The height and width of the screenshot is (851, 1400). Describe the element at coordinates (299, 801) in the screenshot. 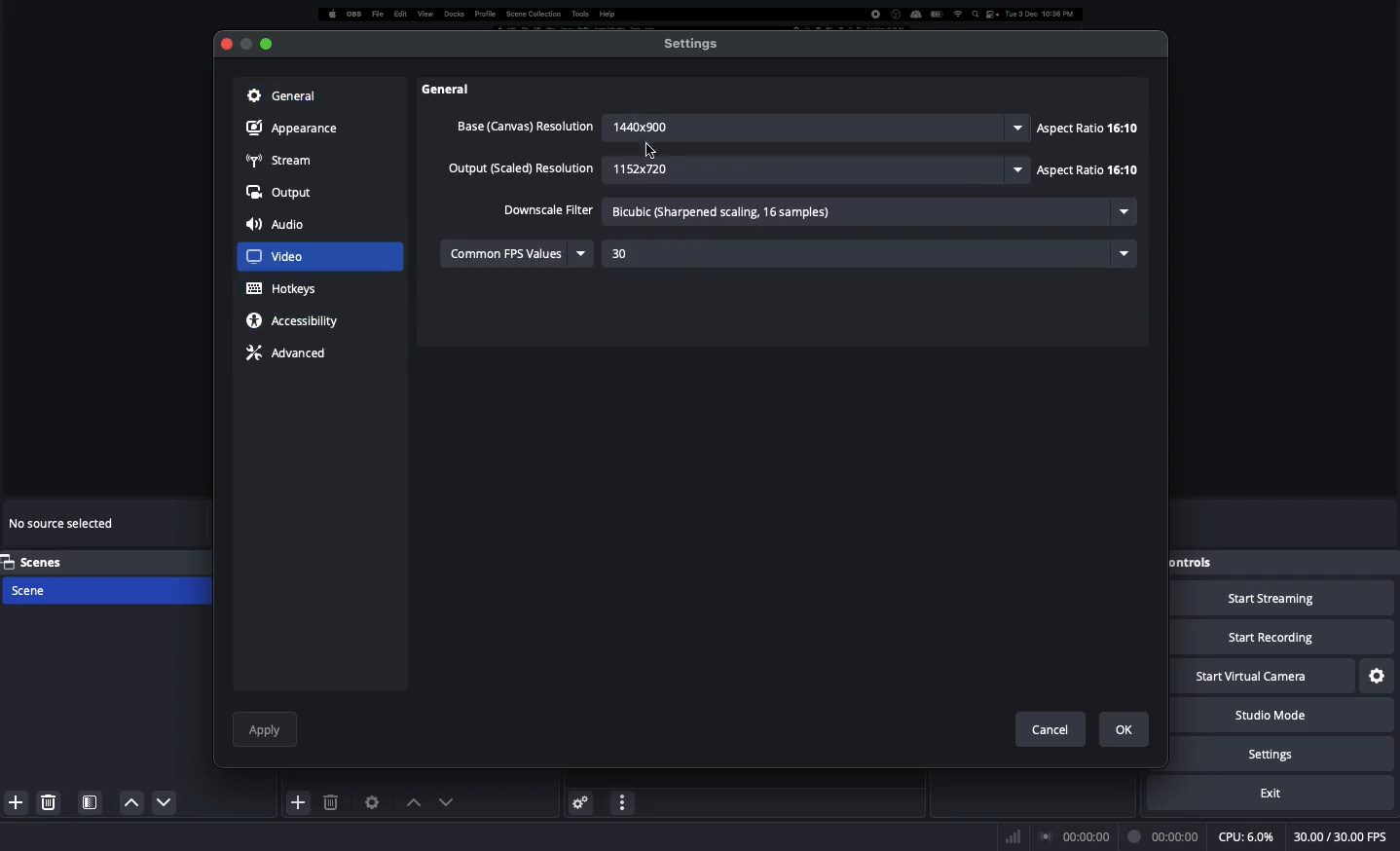

I see `Add` at that location.